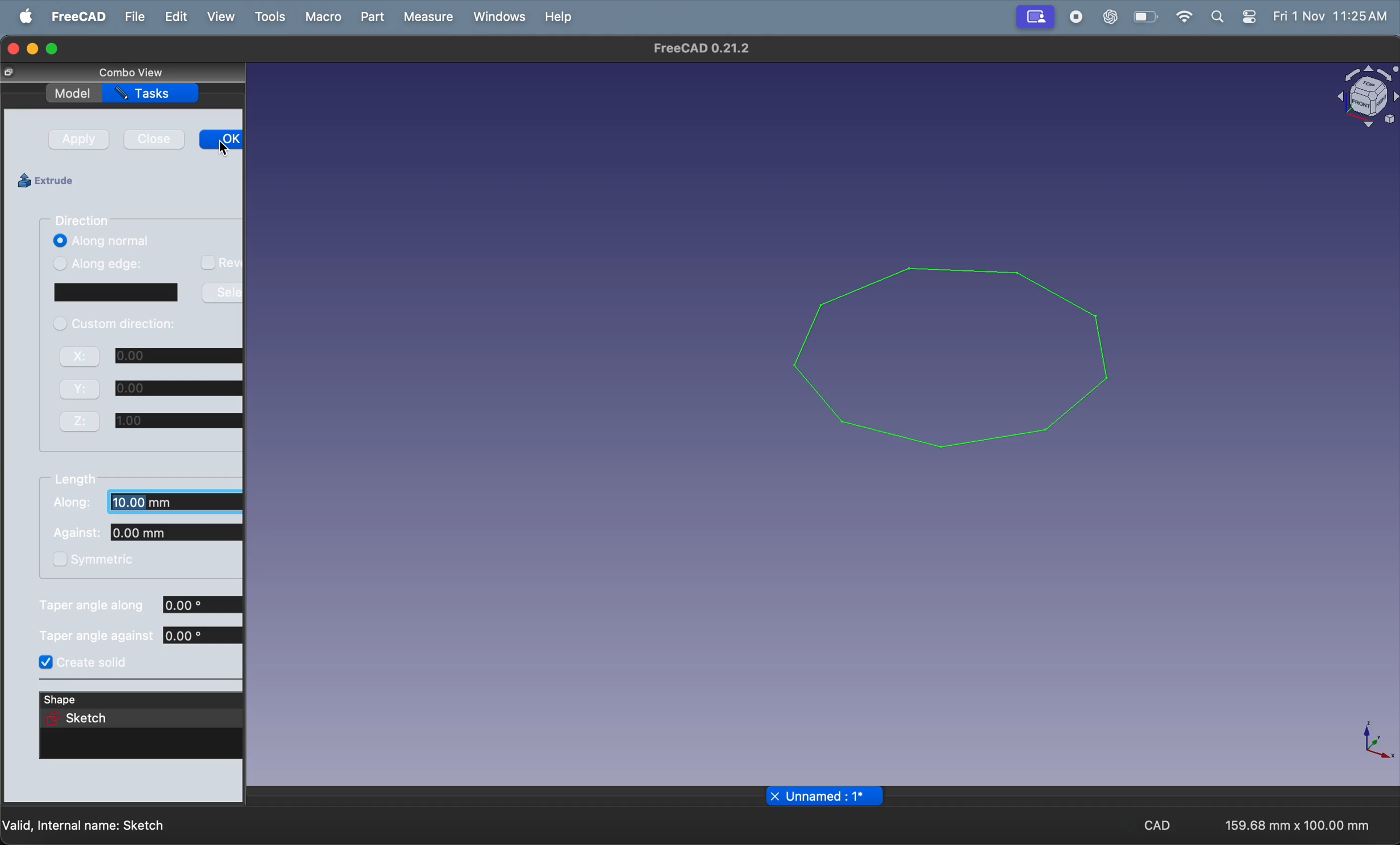  I want to click on against: 0.00, so click(147, 532).